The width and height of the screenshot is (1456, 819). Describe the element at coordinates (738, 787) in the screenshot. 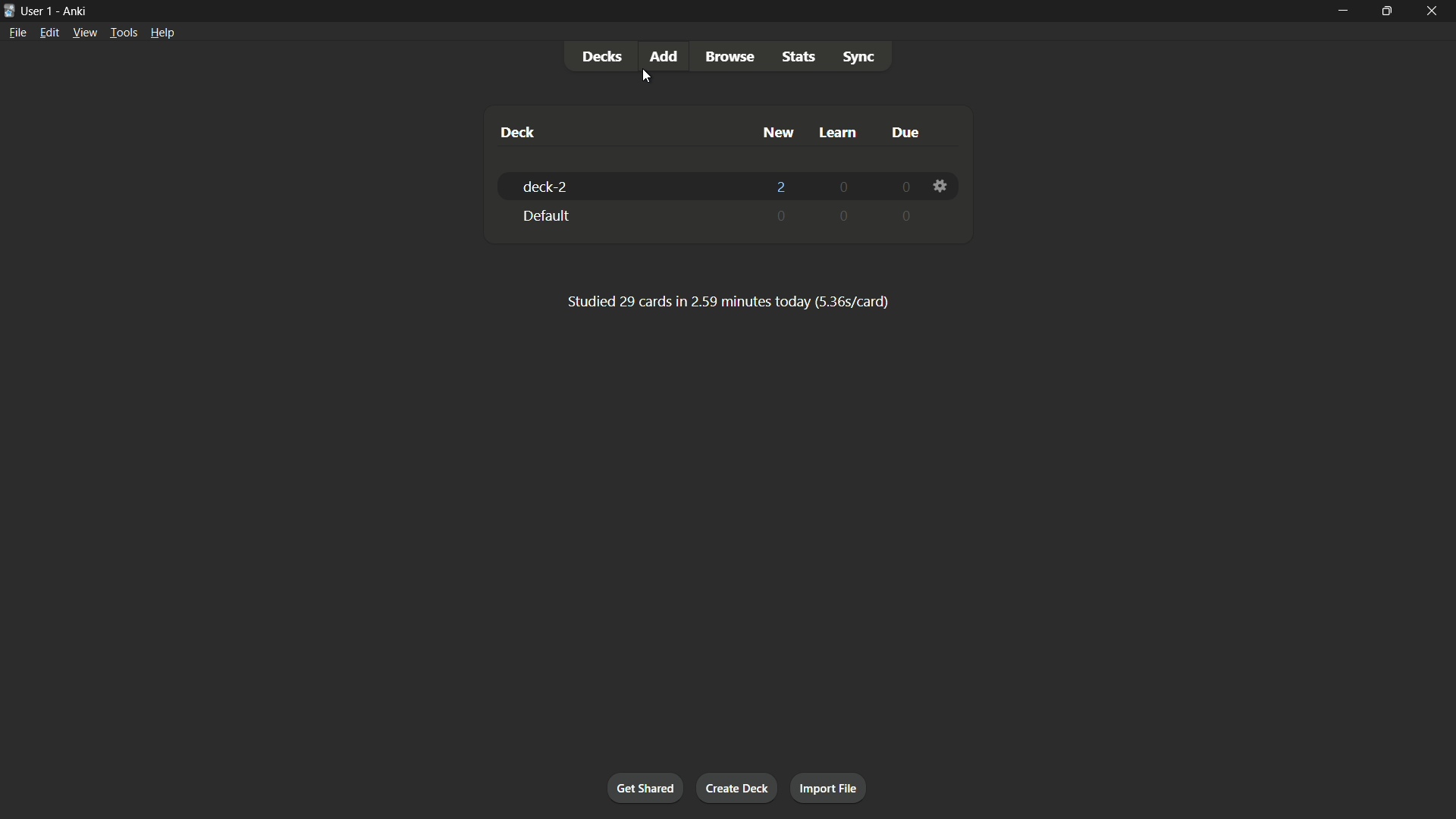

I see `create deck` at that location.